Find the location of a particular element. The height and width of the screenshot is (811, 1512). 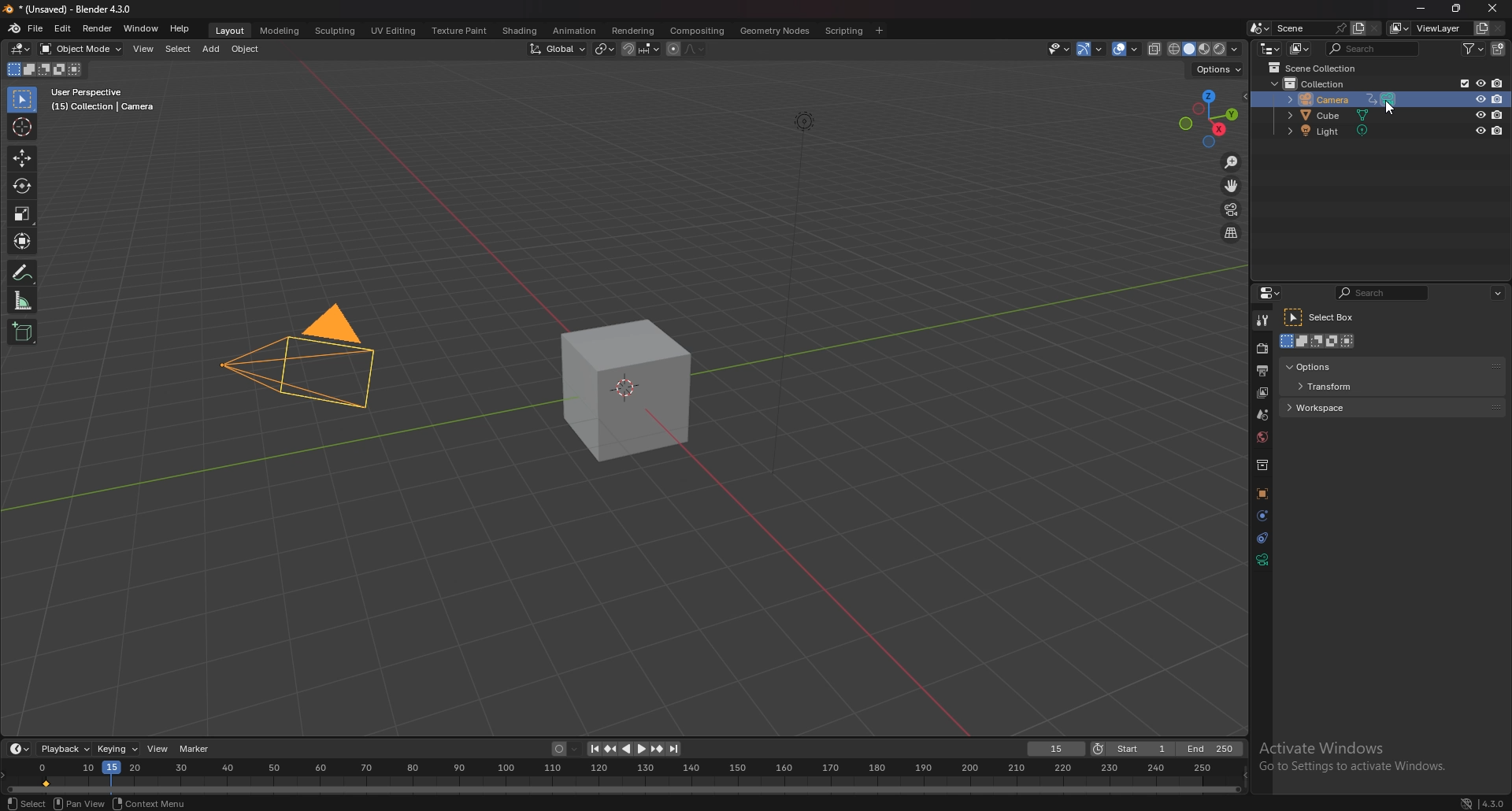

compositing is located at coordinates (698, 31).